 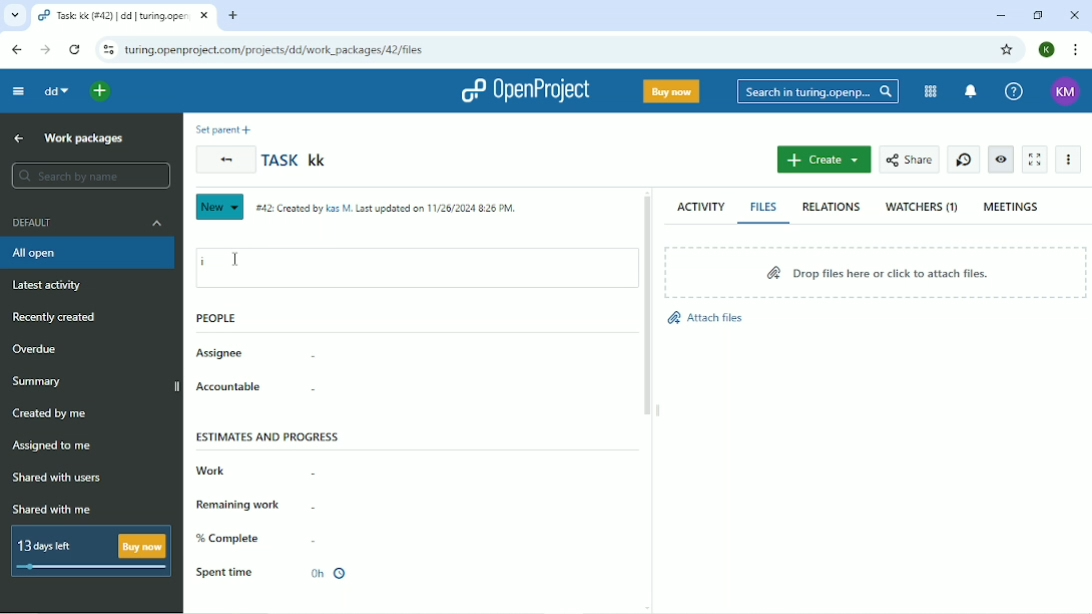 What do you see at coordinates (817, 90) in the screenshot?
I see `Search in turing.openproject.com` at bounding box center [817, 90].